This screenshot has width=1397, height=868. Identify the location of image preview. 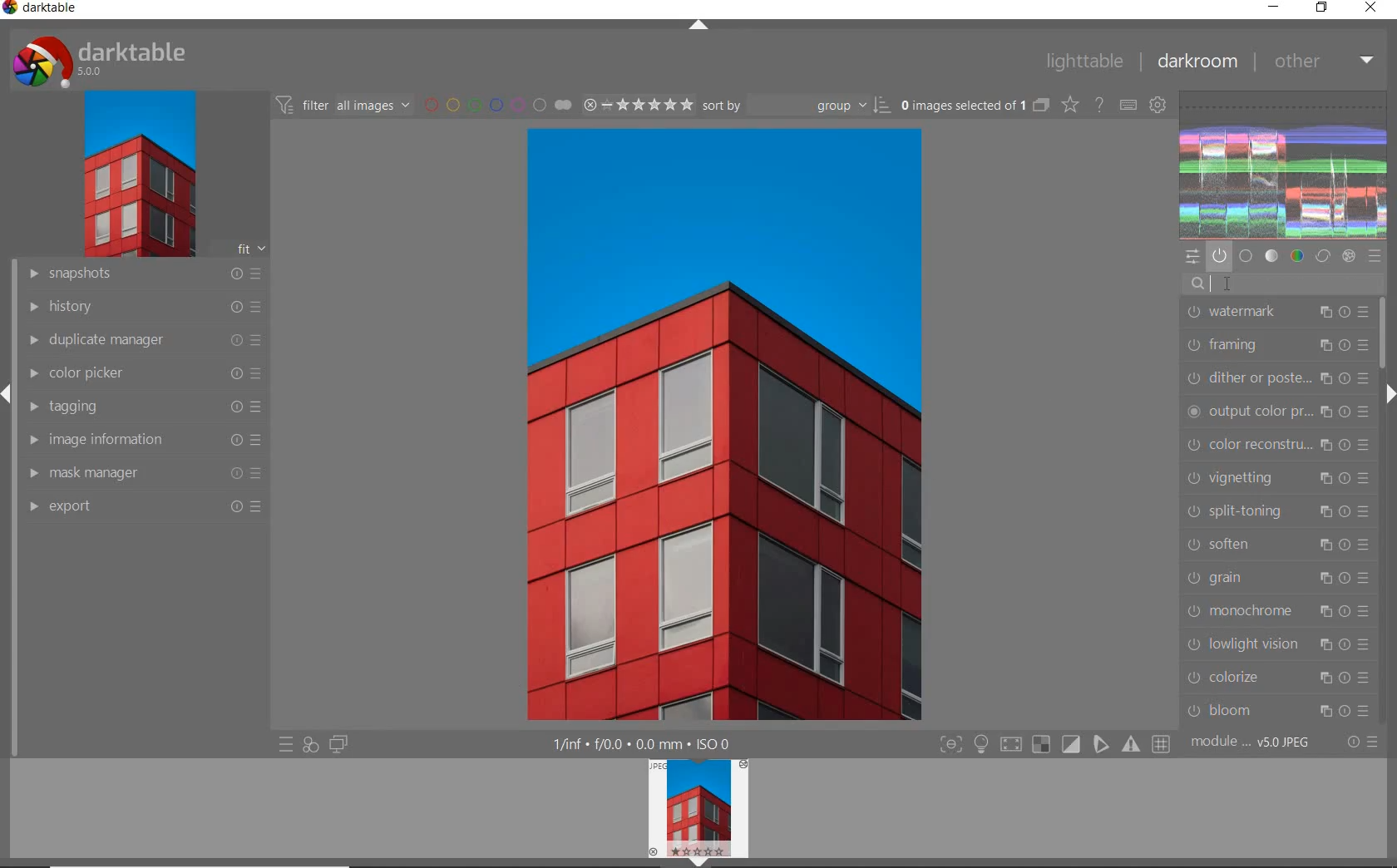
(697, 813).